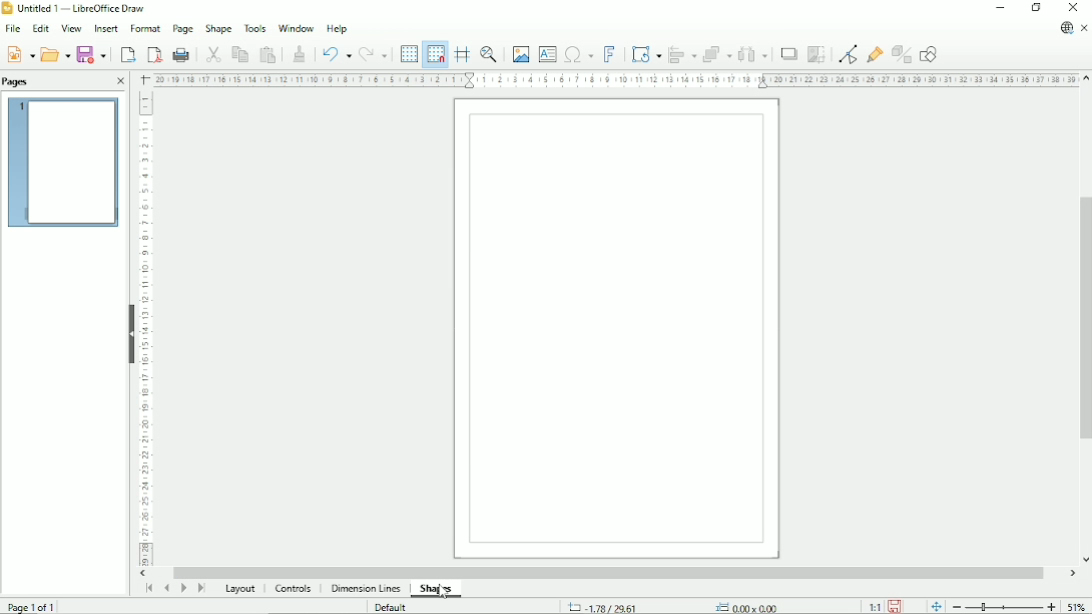 This screenshot has width=1092, height=614. What do you see at coordinates (166, 588) in the screenshot?
I see `Scroll to previous page` at bounding box center [166, 588].